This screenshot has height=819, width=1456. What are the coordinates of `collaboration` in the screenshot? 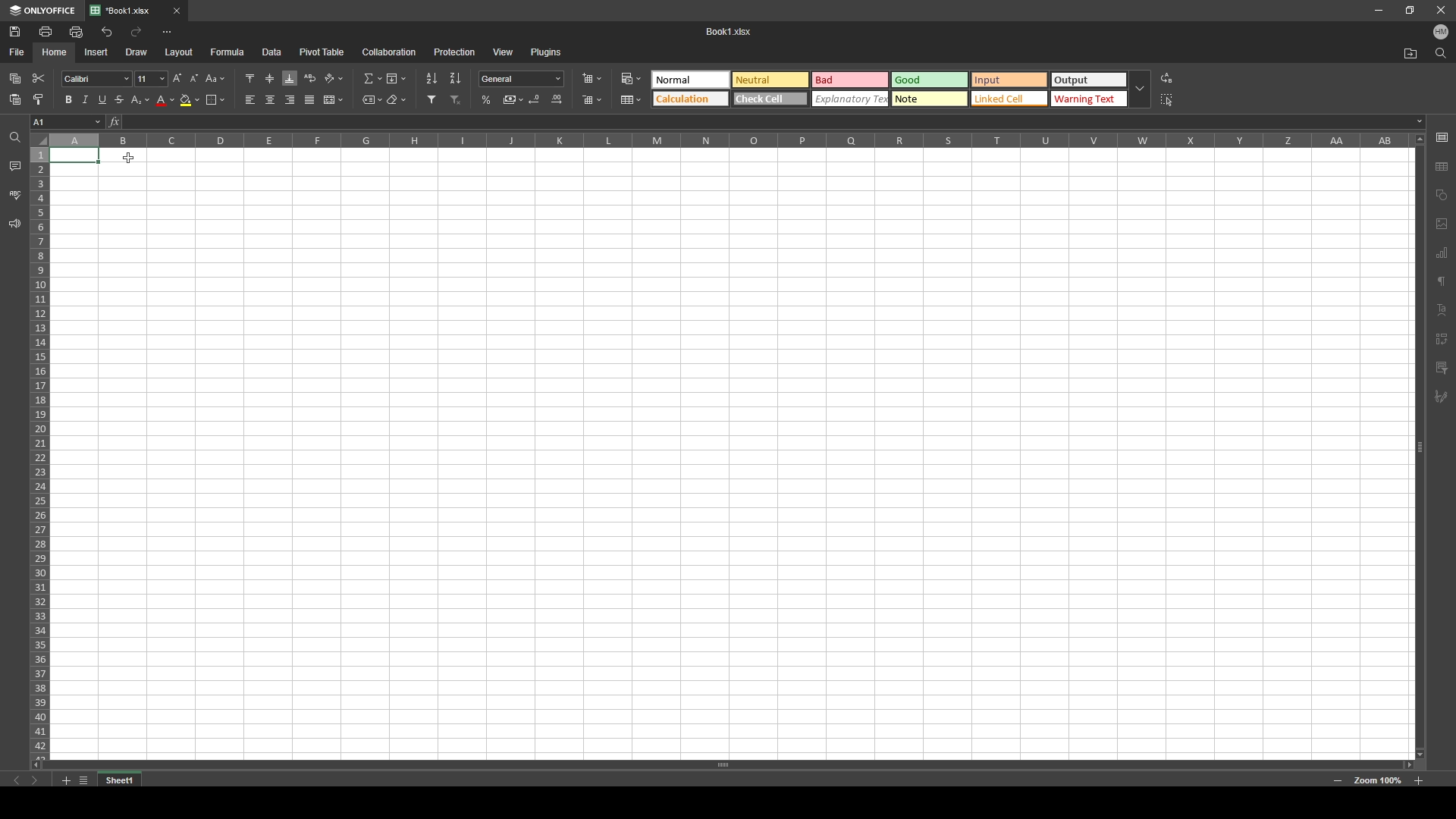 It's located at (390, 52).